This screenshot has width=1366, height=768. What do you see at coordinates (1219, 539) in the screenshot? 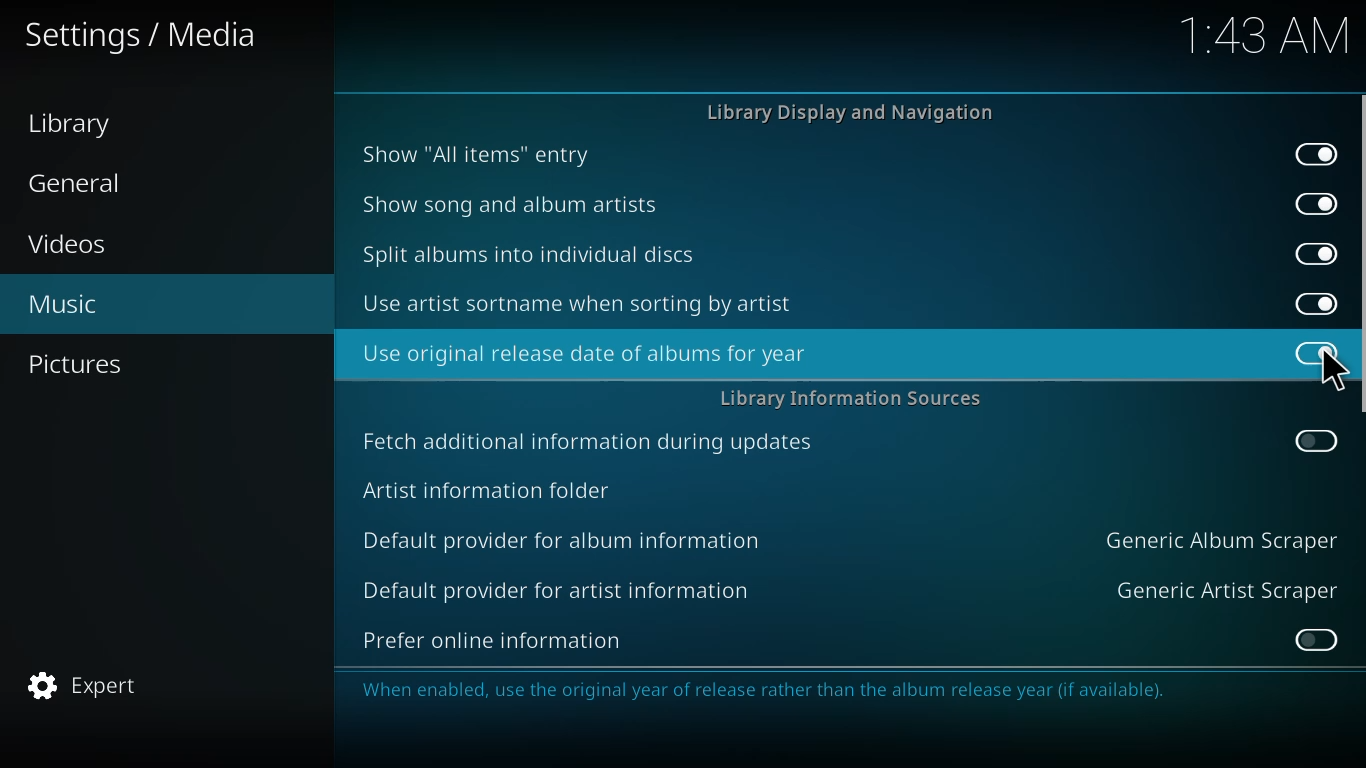
I see `generic album scraper` at bounding box center [1219, 539].